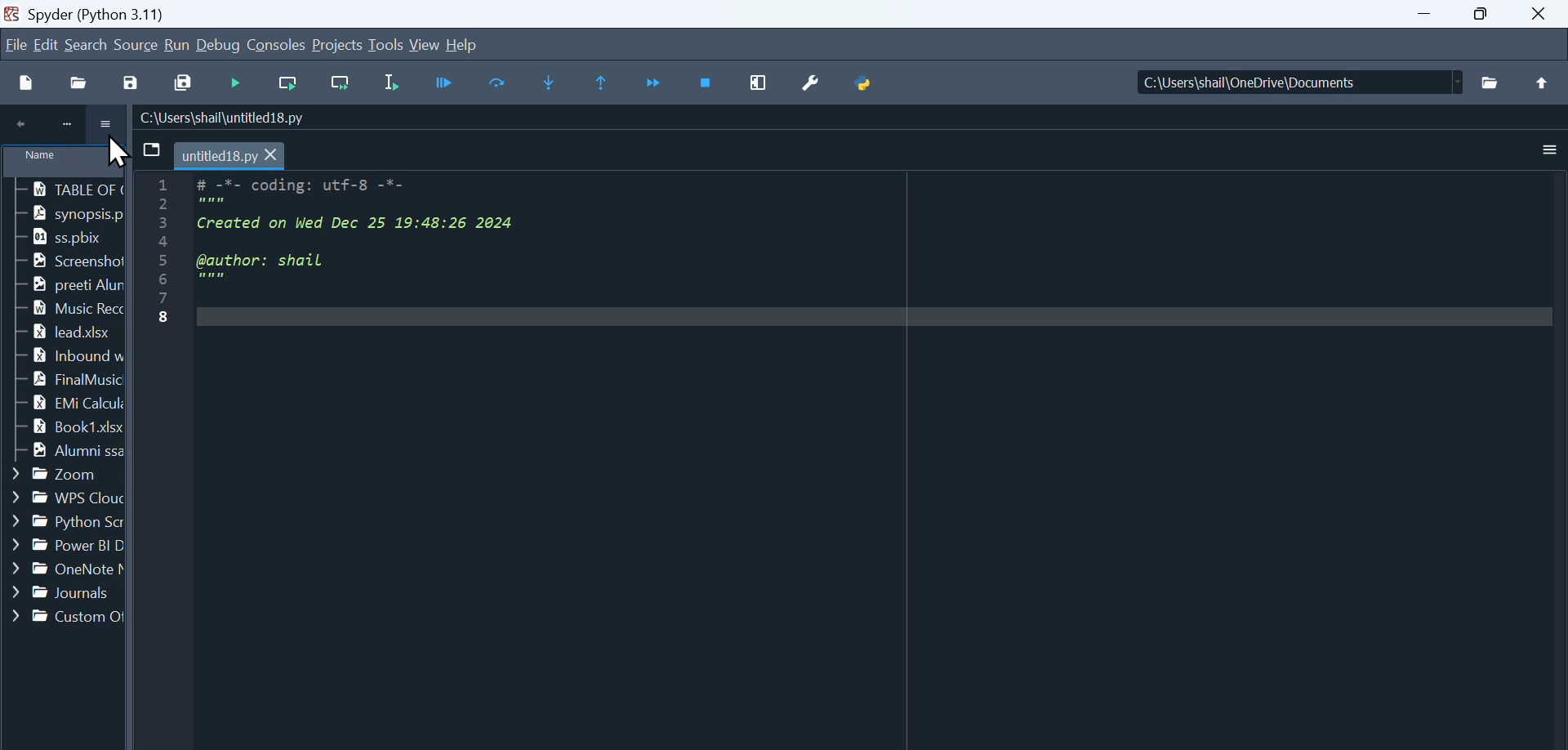  I want to click on , so click(339, 46).